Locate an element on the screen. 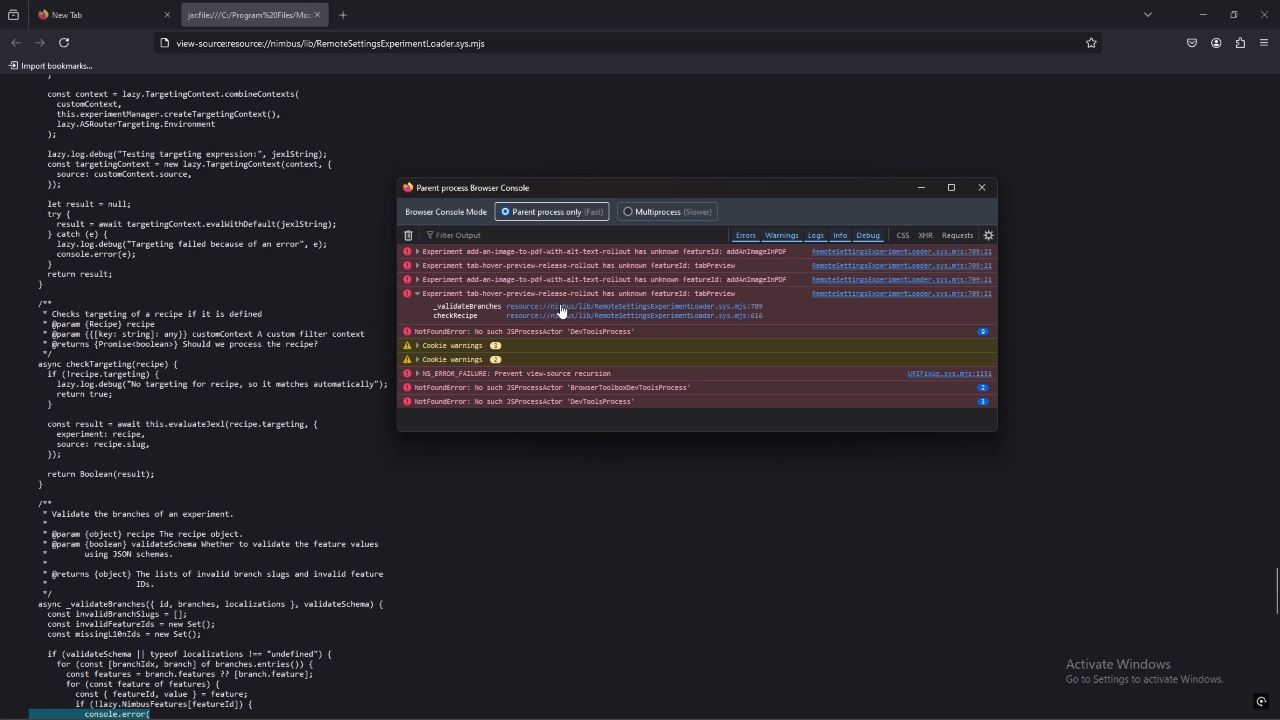 The height and width of the screenshot is (720, 1280). cookie warnings is located at coordinates (587, 360).